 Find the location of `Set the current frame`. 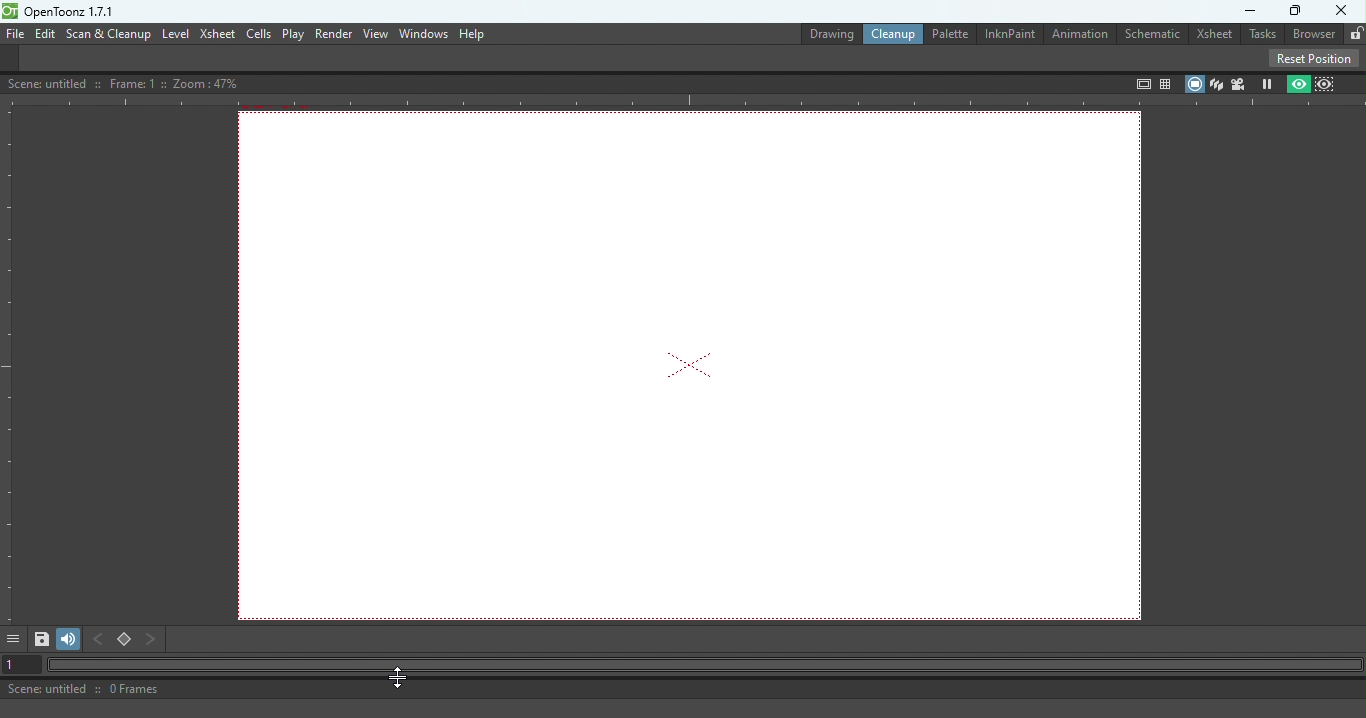

Set the current frame is located at coordinates (16, 664).